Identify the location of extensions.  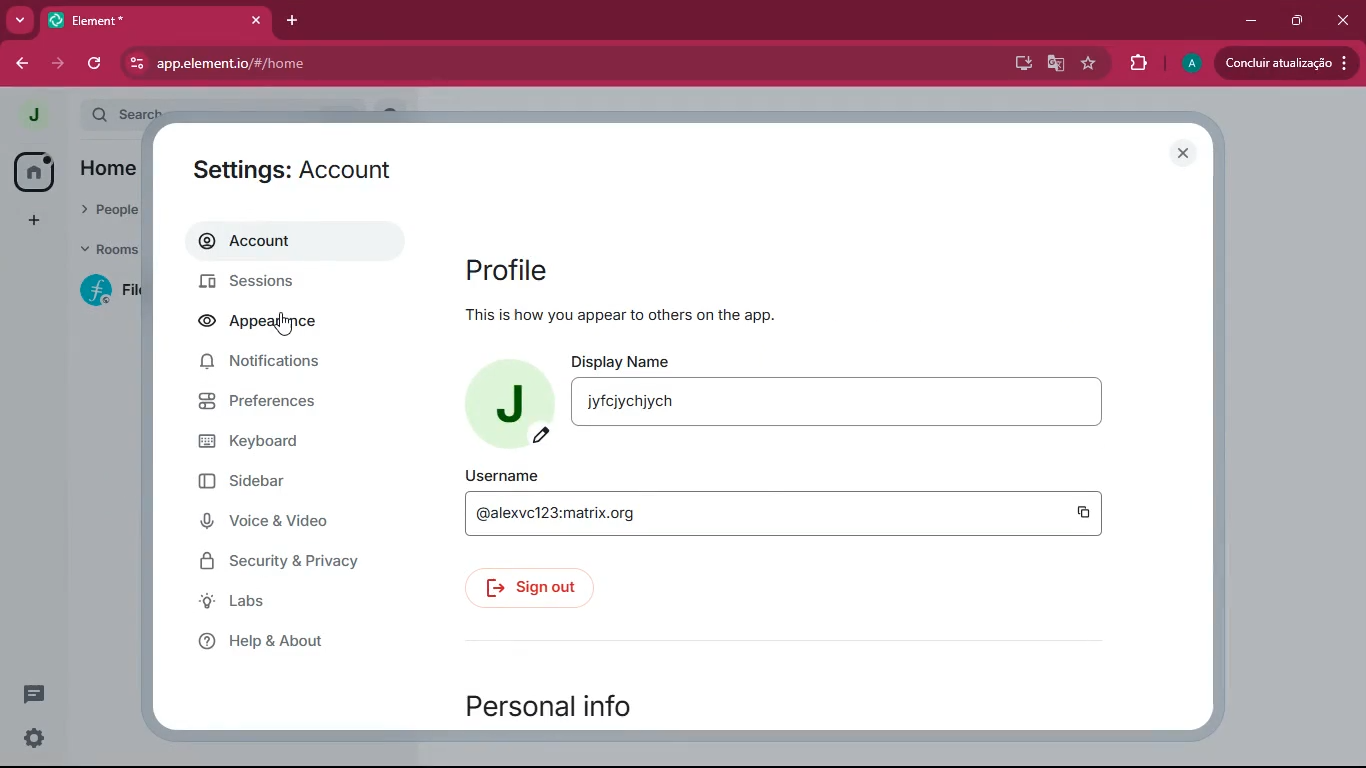
(1138, 61).